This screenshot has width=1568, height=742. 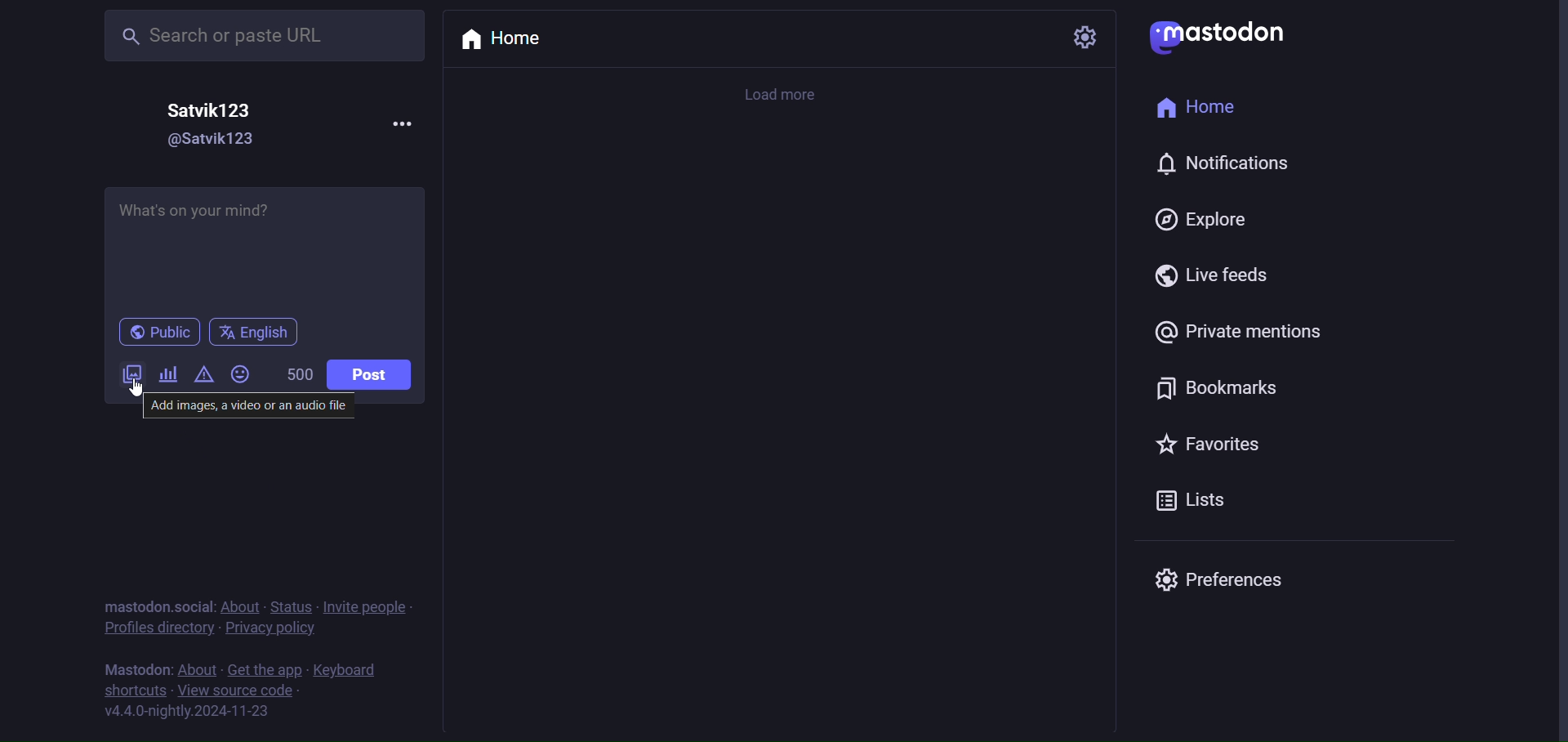 What do you see at coordinates (258, 332) in the screenshot?
I see `english` at bounding box center [258, 332].